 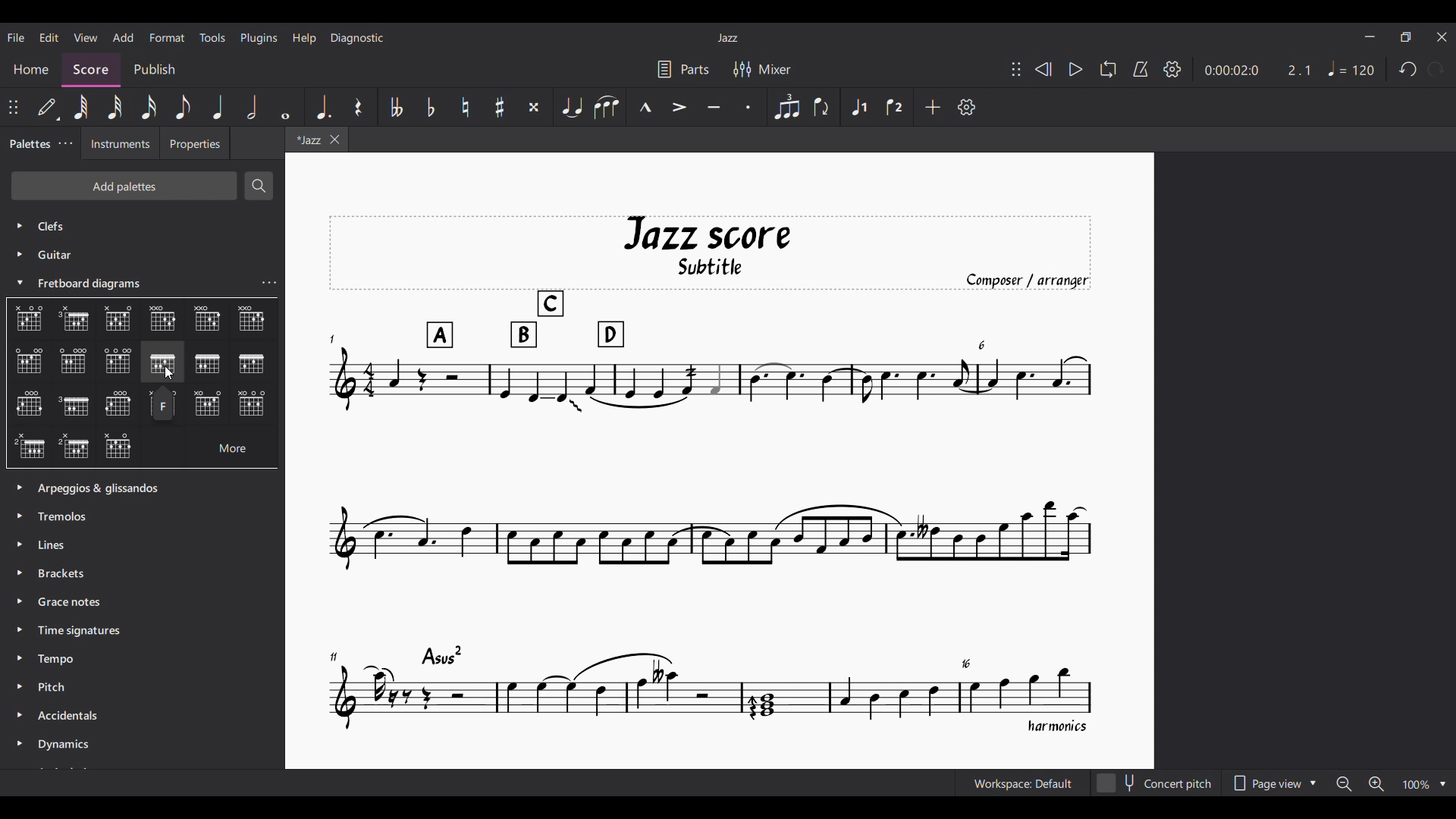 I want to click on Settings of current selection, so click(x=268, y=282).